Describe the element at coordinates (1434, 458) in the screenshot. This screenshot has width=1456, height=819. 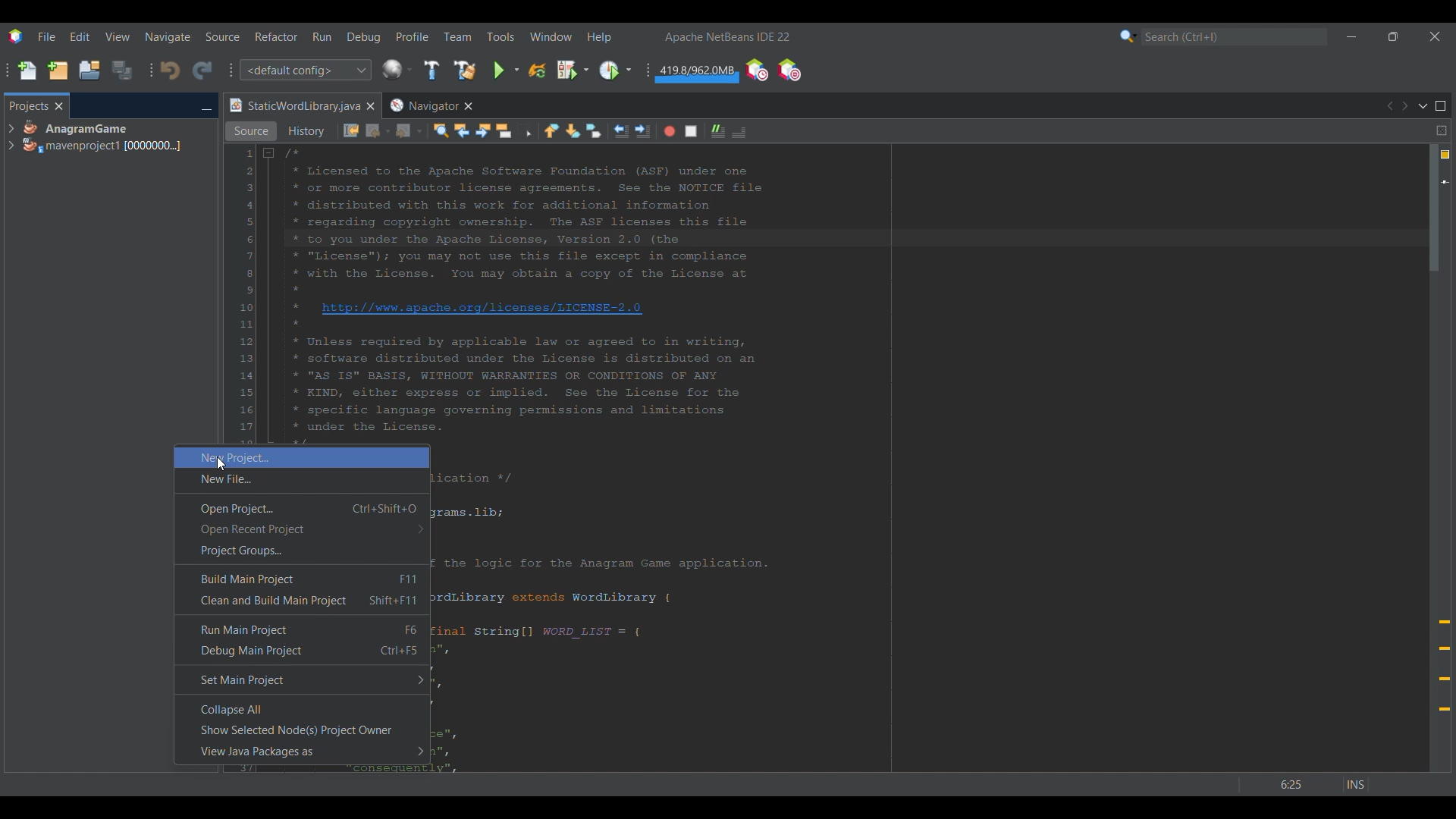
I see `Vertical slide bar` at that location.